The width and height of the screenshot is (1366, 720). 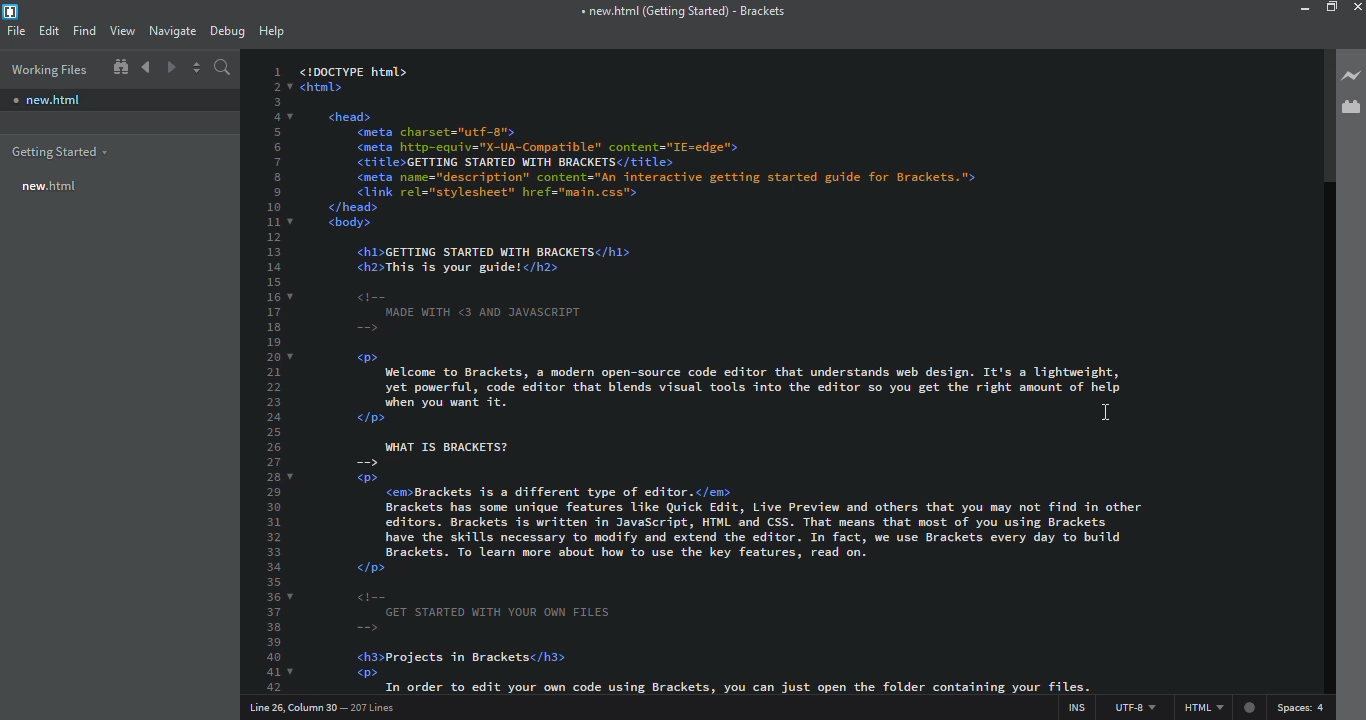 What do you see at coordinates (46, 100) in the screenshot?
I see `new` at bounding box center [46, 100].